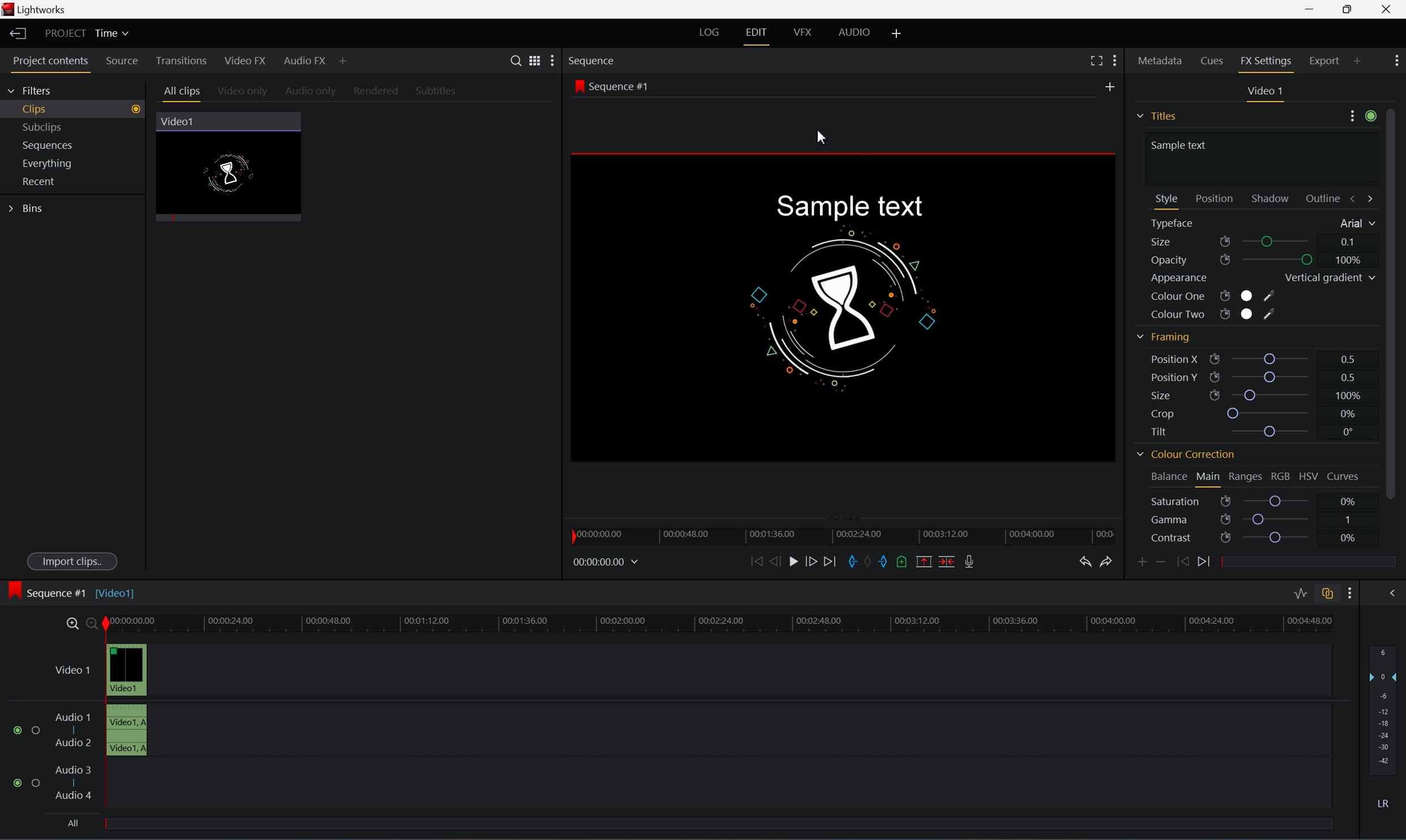  Describe the element at coordinates (1282, 538) in the screenshot. I see `slider` at that location.